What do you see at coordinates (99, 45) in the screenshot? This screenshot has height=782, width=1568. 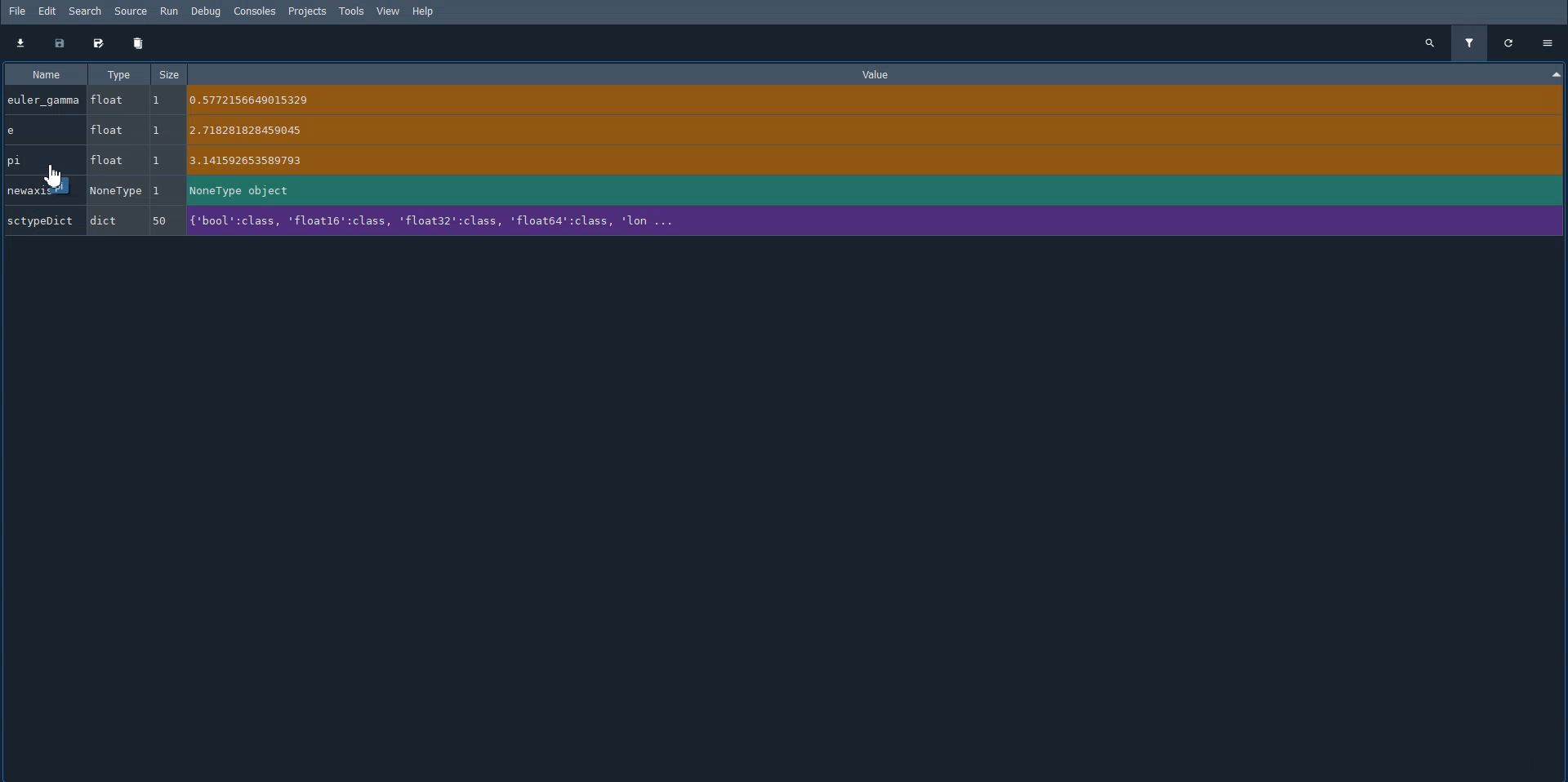 I see `Save data as` at bounding box center [99, 45].